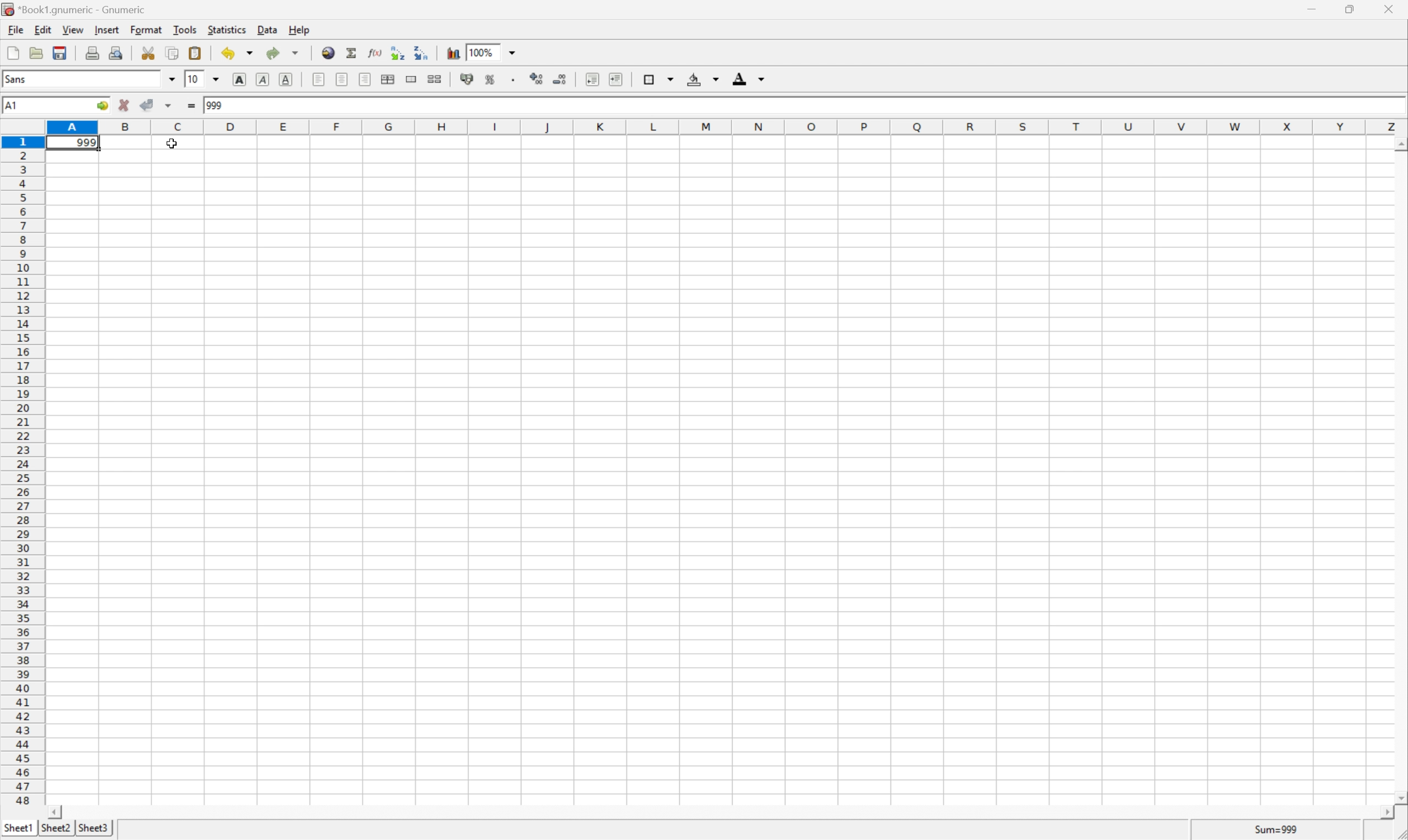  I want to click on print preview, so click(118, 53).